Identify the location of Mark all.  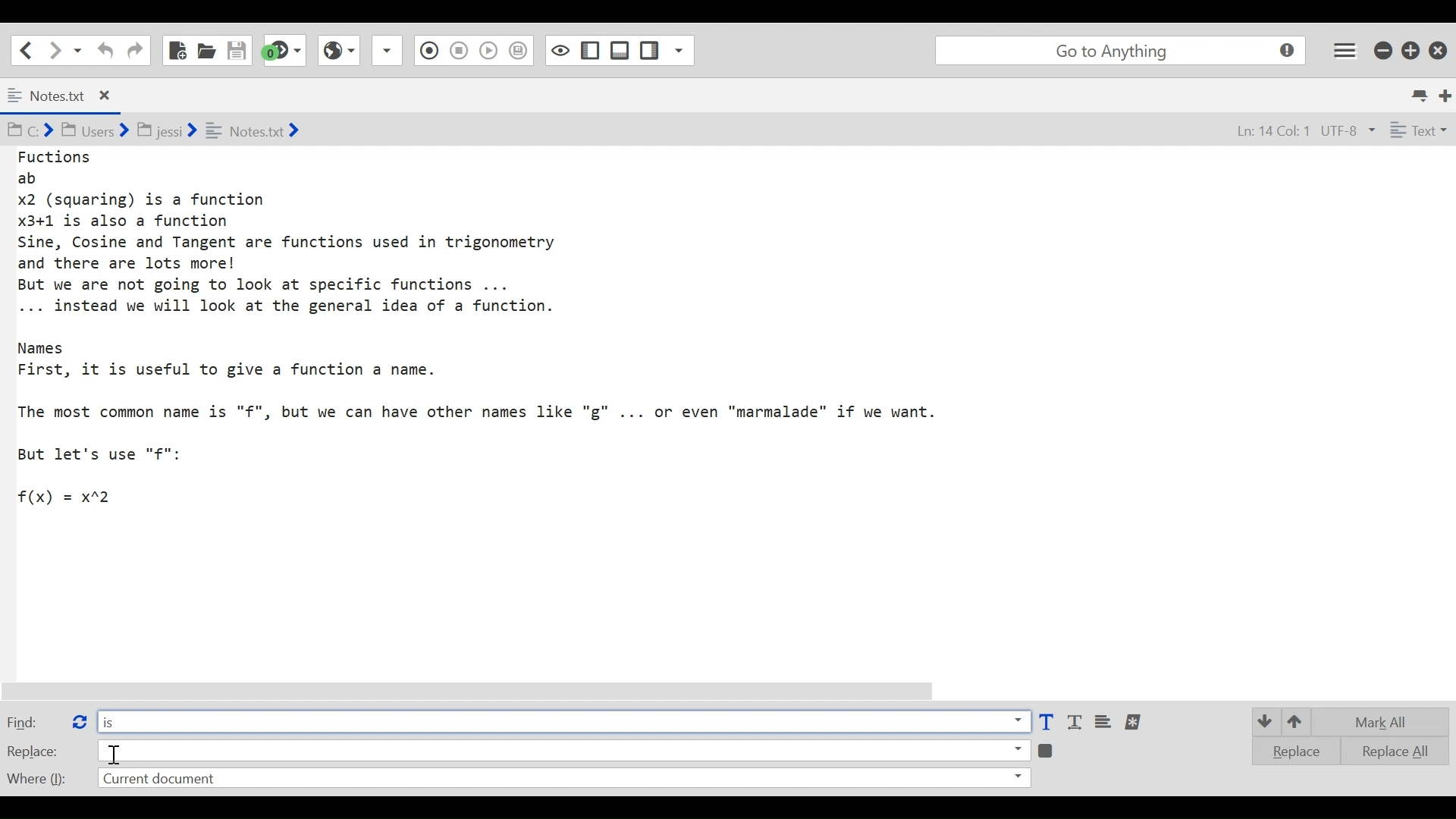
(1386, 722).